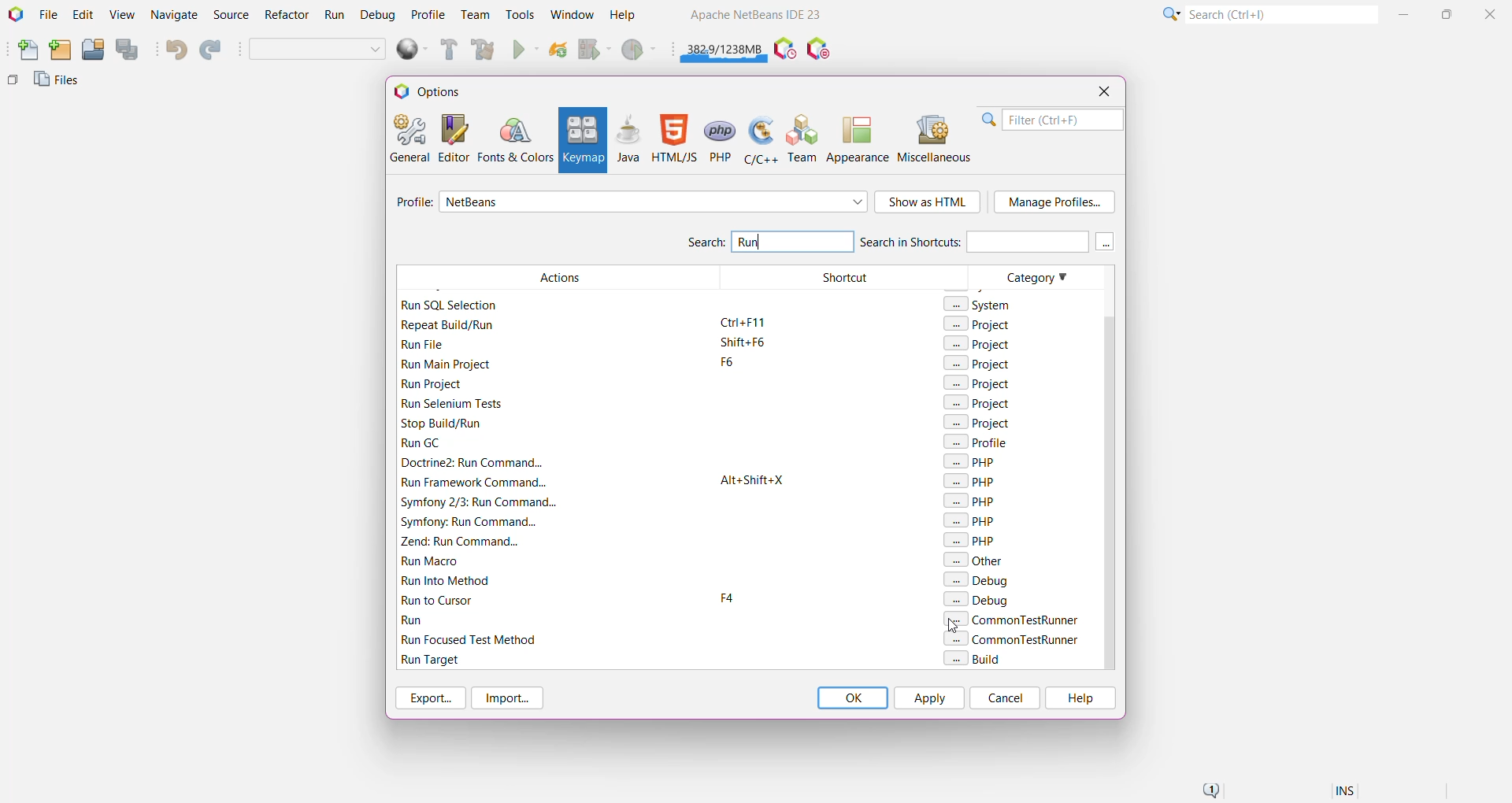 The image size is (1512, 803). I want to click on Category, so click(1032, 467).